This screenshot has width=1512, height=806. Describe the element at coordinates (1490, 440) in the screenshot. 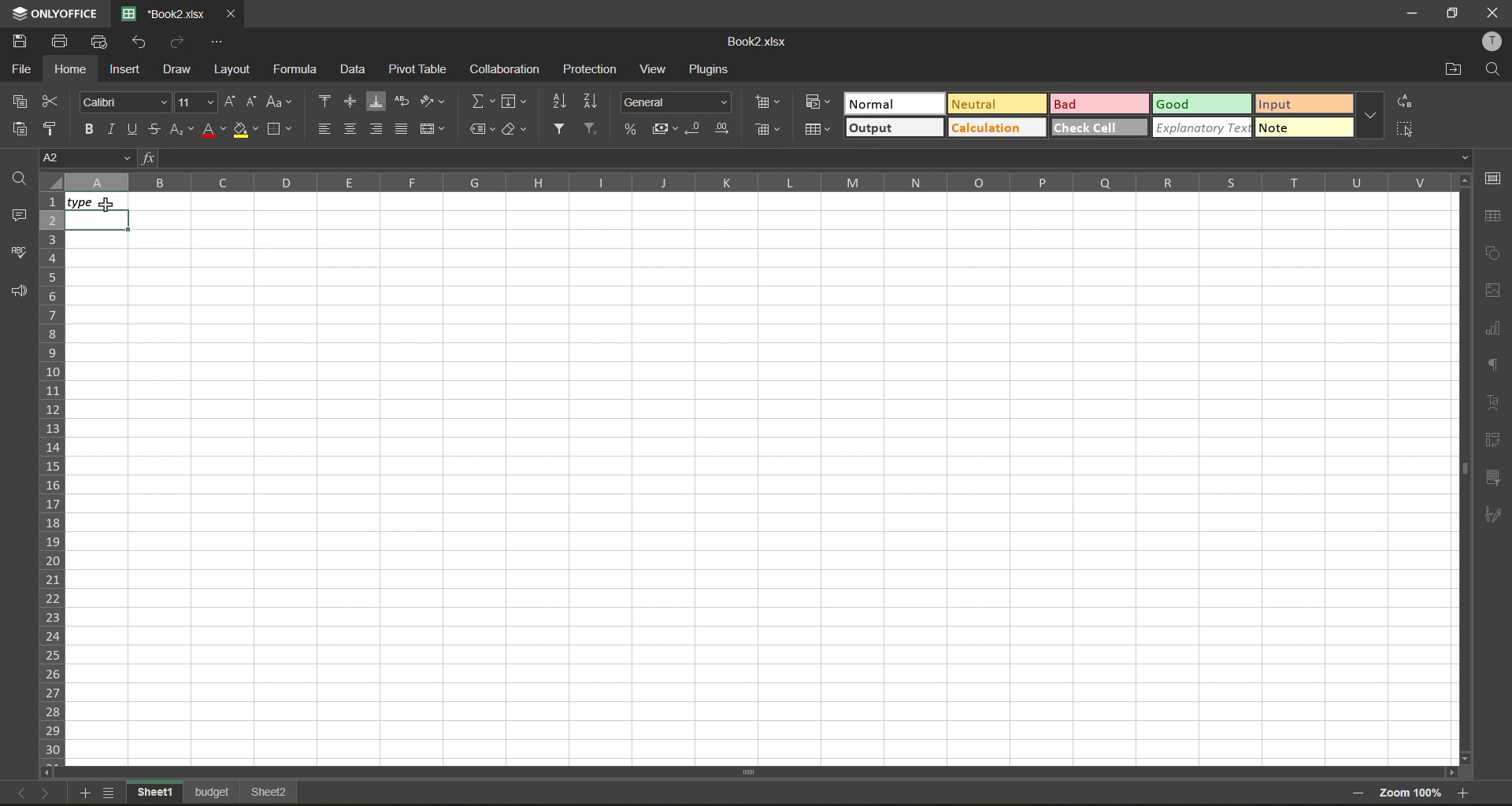

I see `pivot table` at that location.